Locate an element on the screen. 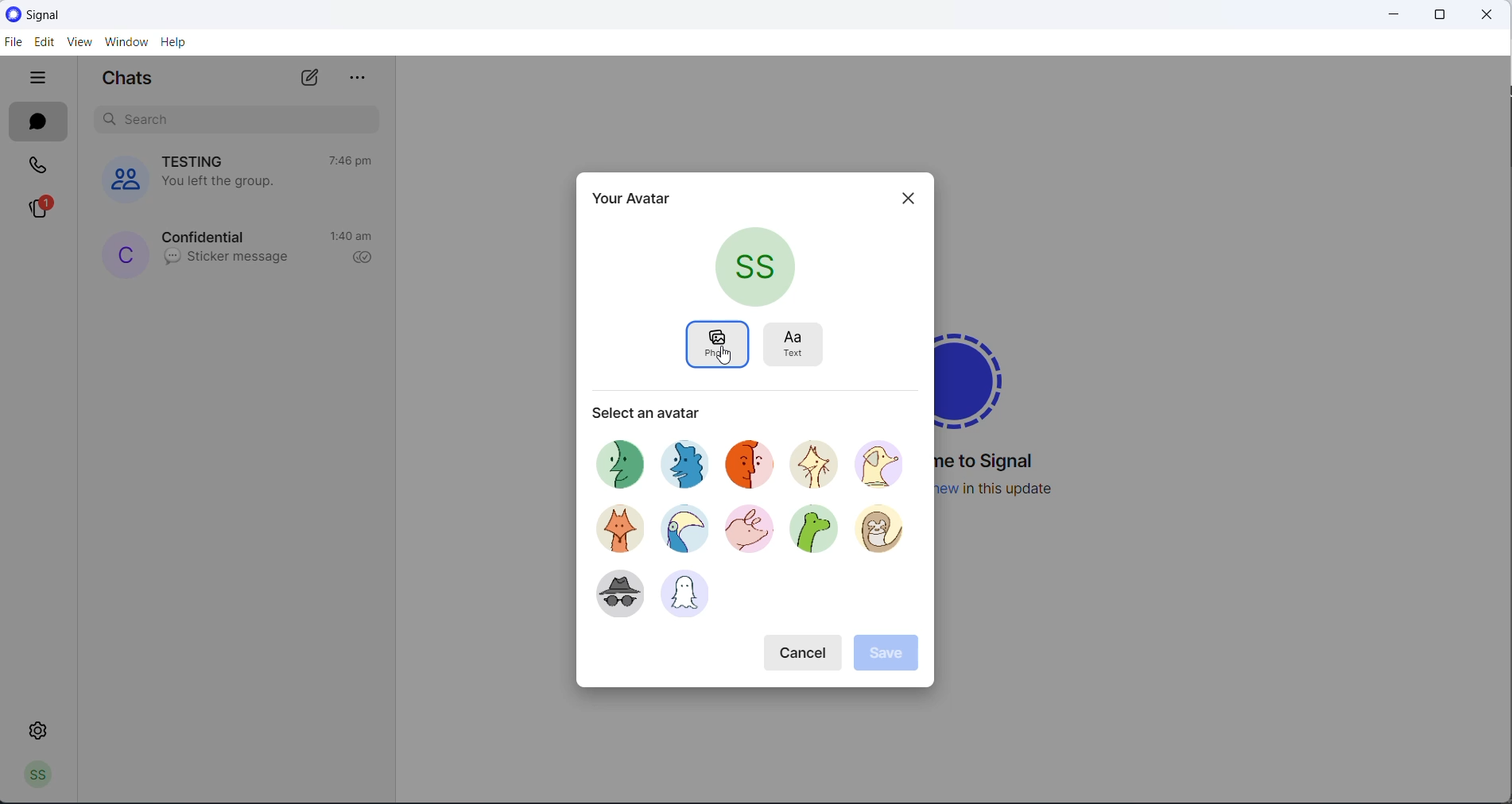 The image size is (1512, 804). VIEW is located at coordinates (77, 44).